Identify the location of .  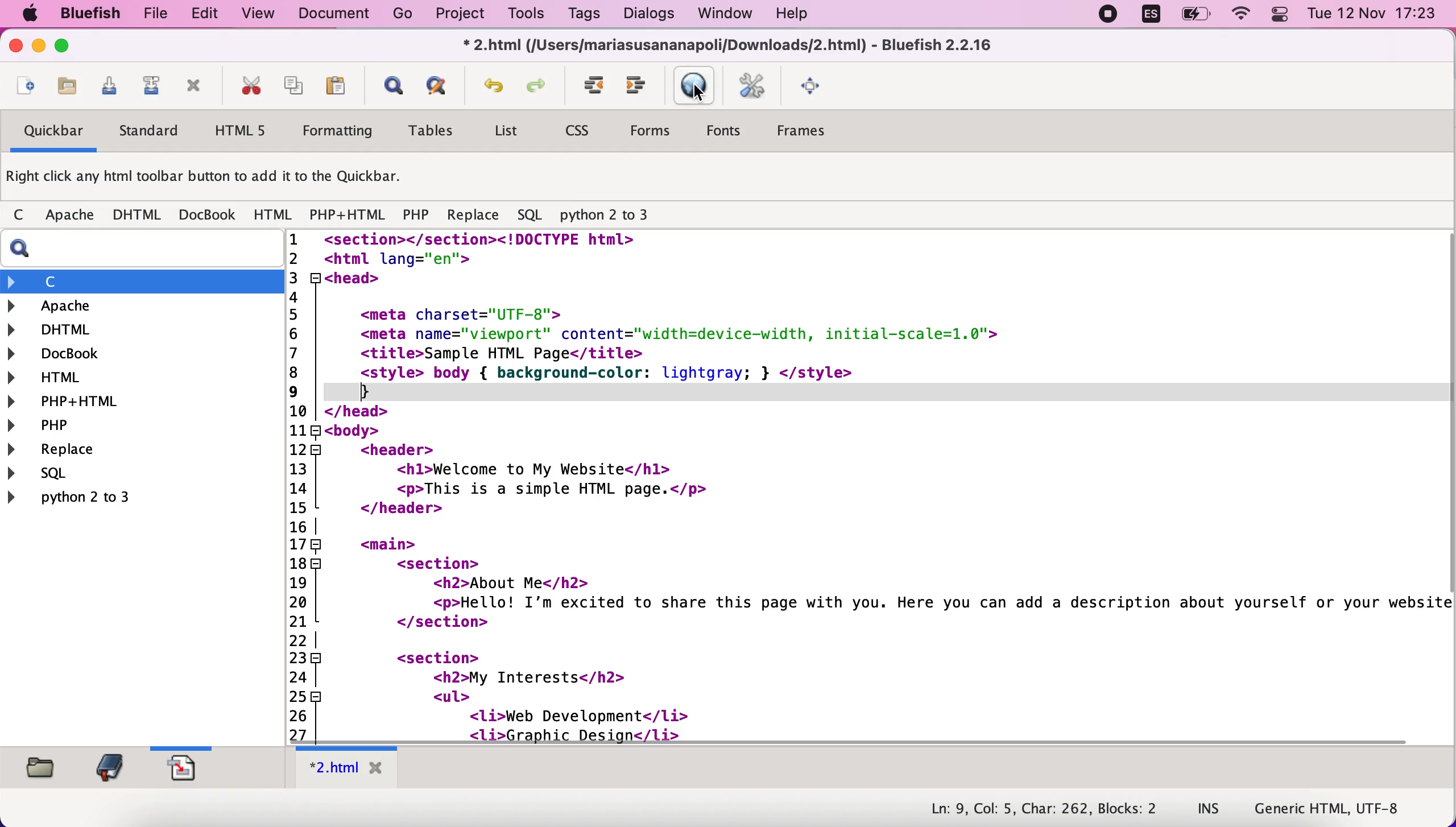
(24, 216).